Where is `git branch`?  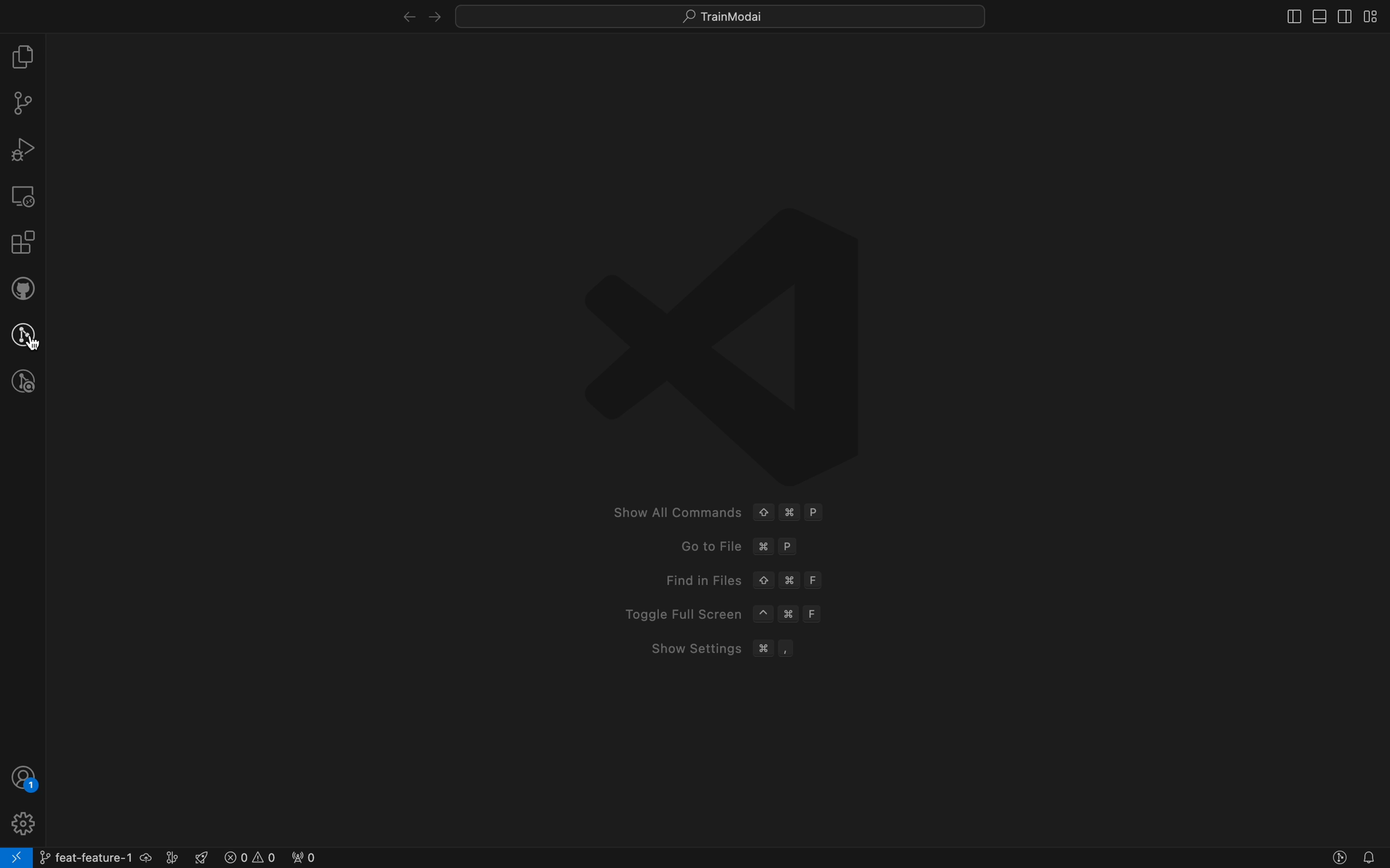
git branch is located at coordinates (111, 858).